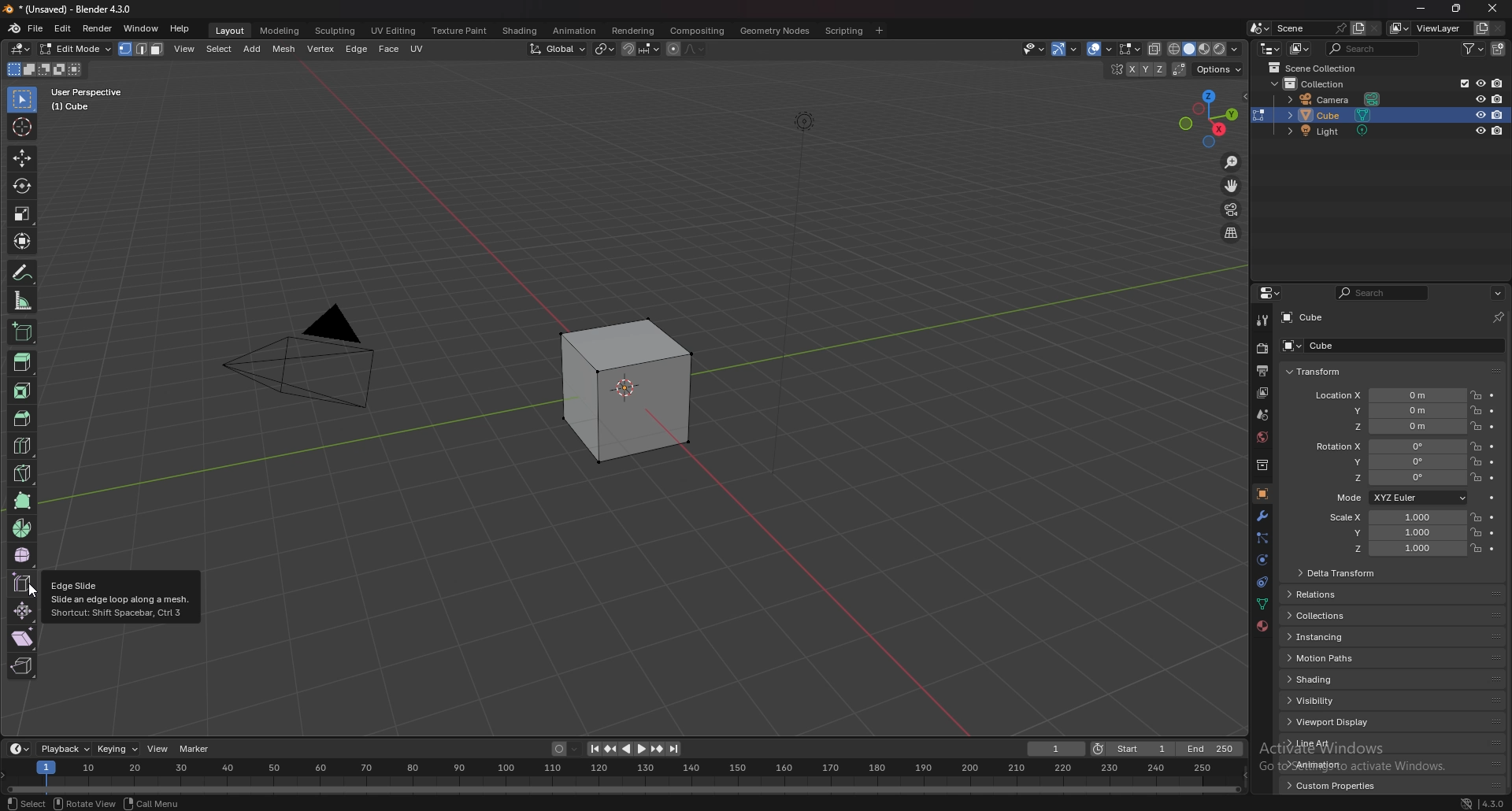  Describe the element at coordinates (1476, 446) in the screenshot. I see `lock` at that location.